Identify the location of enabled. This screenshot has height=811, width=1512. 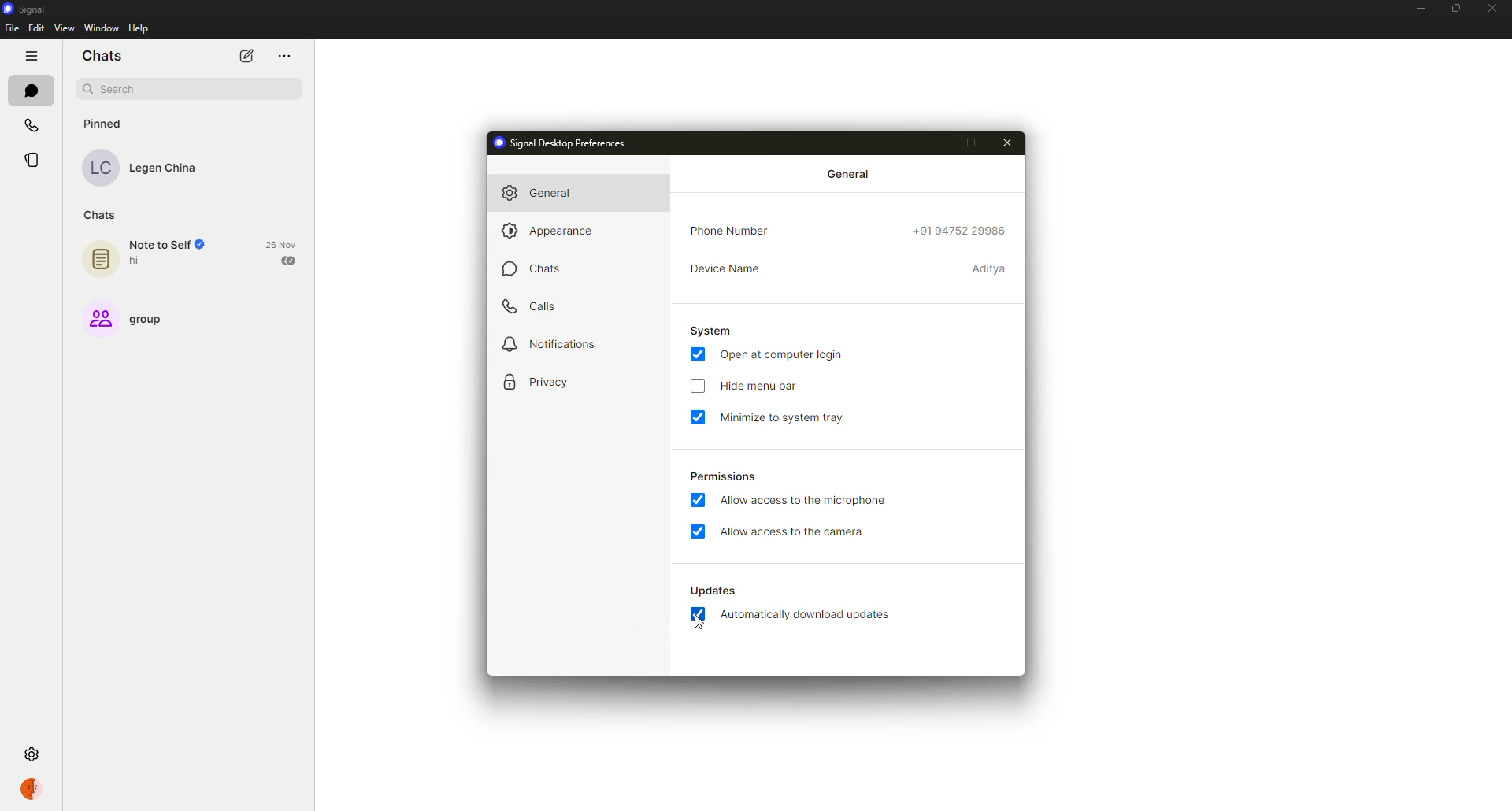
(697, 354).